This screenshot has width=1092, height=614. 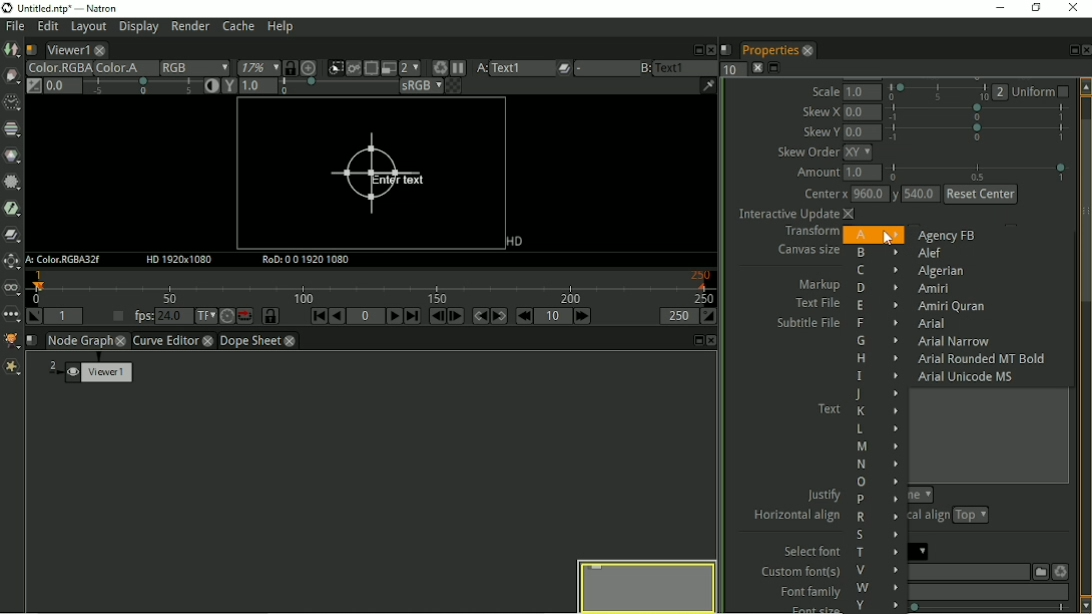 What do you see at coordinates (894, 196) in the screenshot?
I see `y` at bounding box center [894, 196].